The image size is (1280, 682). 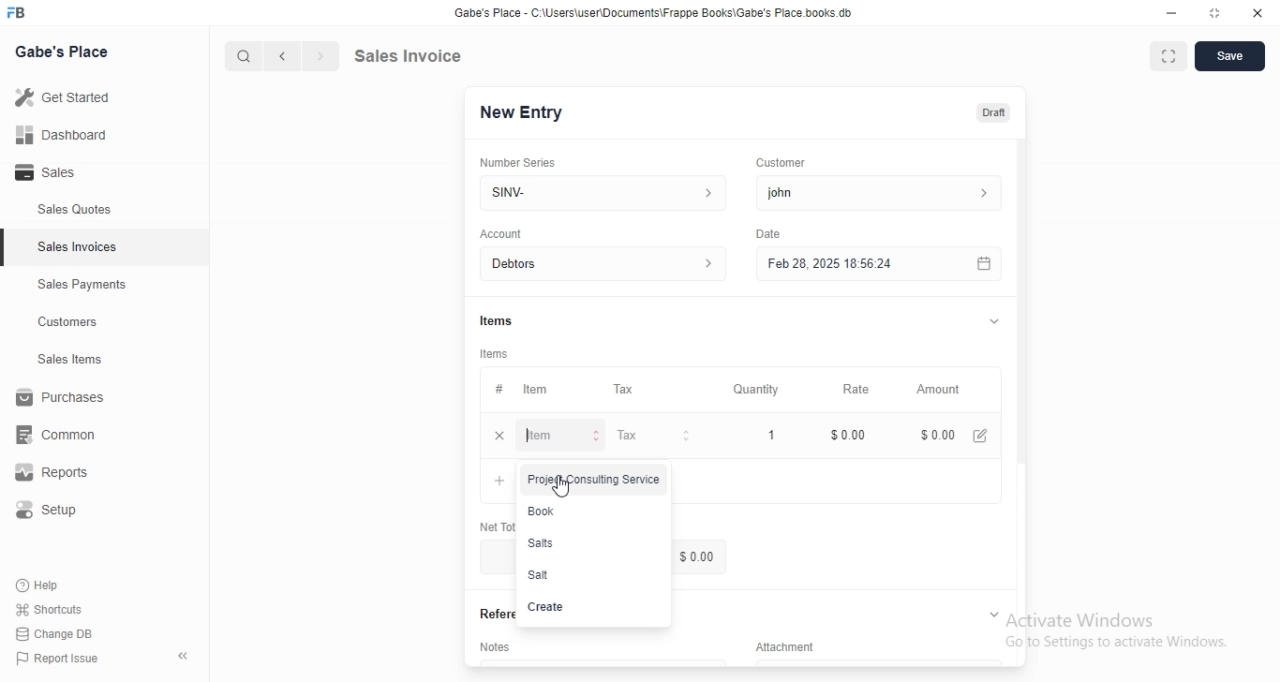 What do you see at coordinates (628, 390) in the screenshot?
I see `Tax` at bounding box center [628, 390].